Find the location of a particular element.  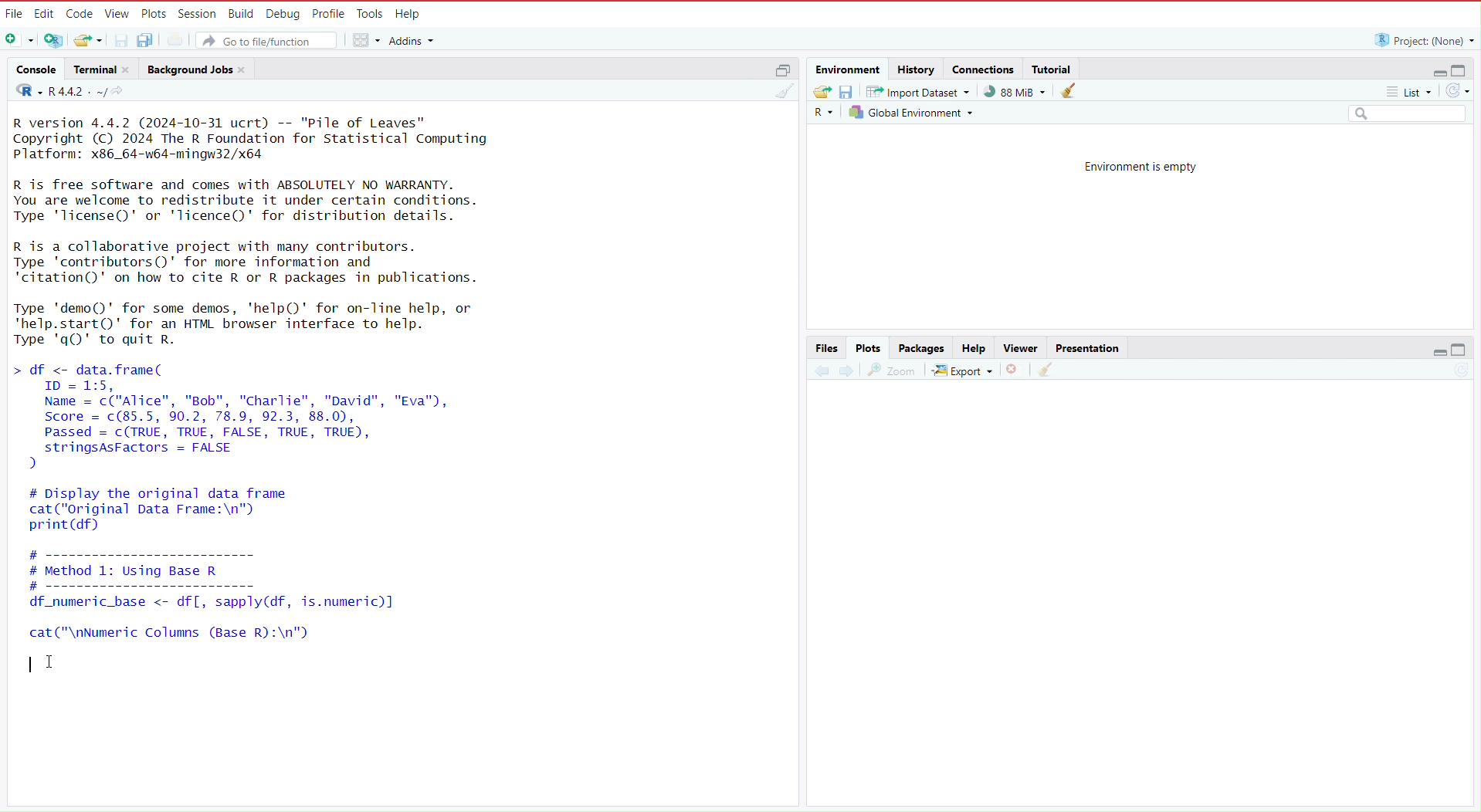

R 4.4.2 . ~/ is located at coordinates (76, 90).